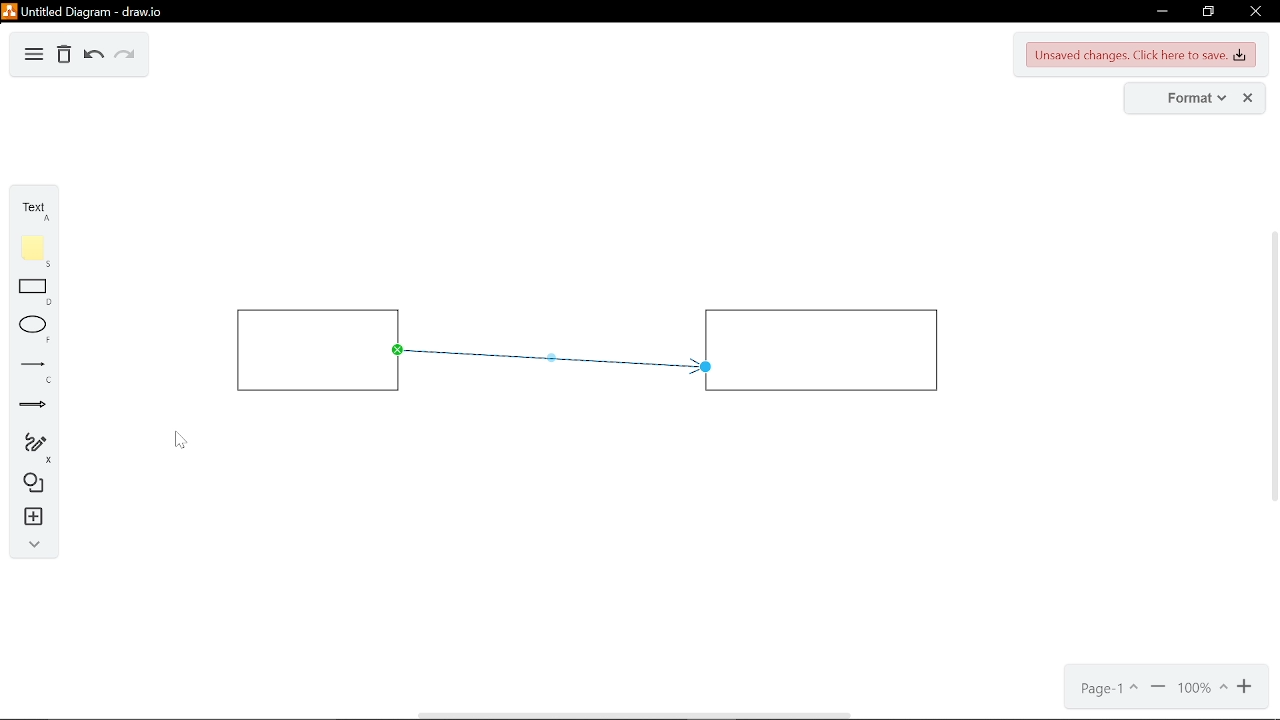 Image resolution: width=1280 pixels, height=720 pixels. I want to click on rectangle 2, so click(822, 350).